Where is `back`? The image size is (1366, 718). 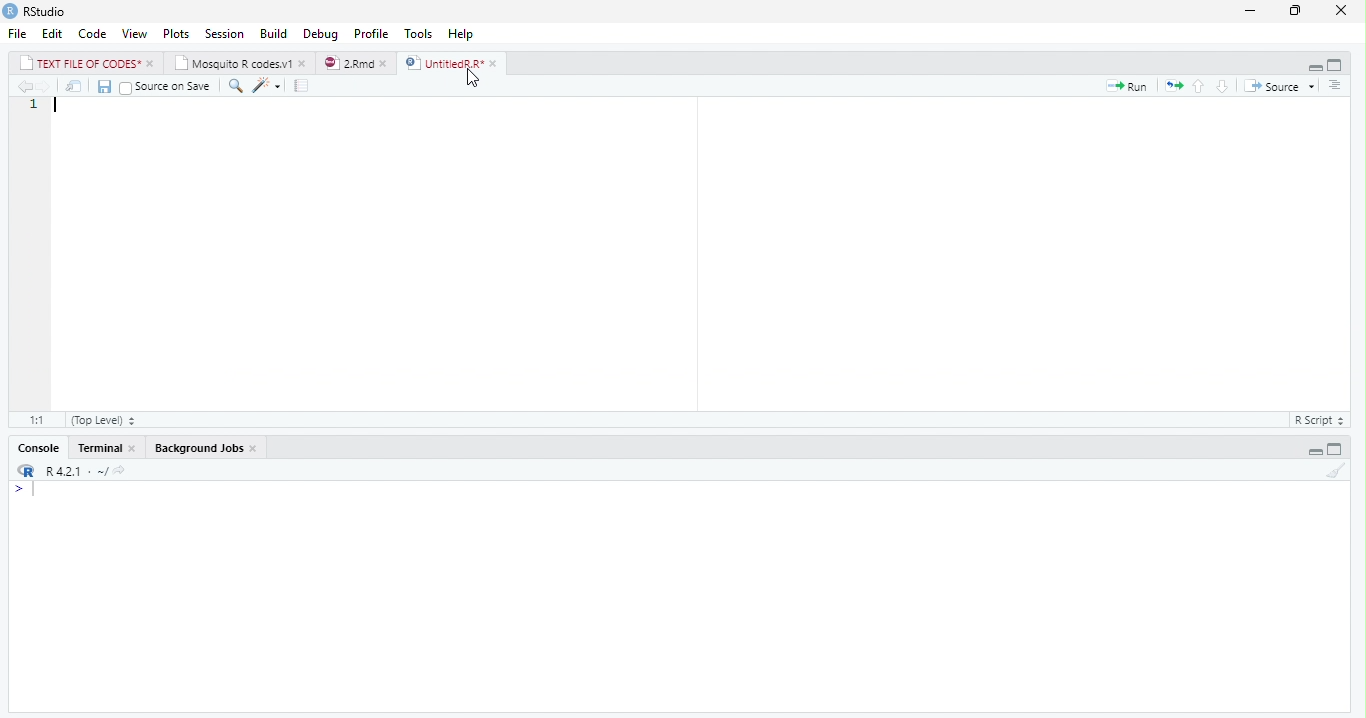
back is located at coordinates (24, 87).